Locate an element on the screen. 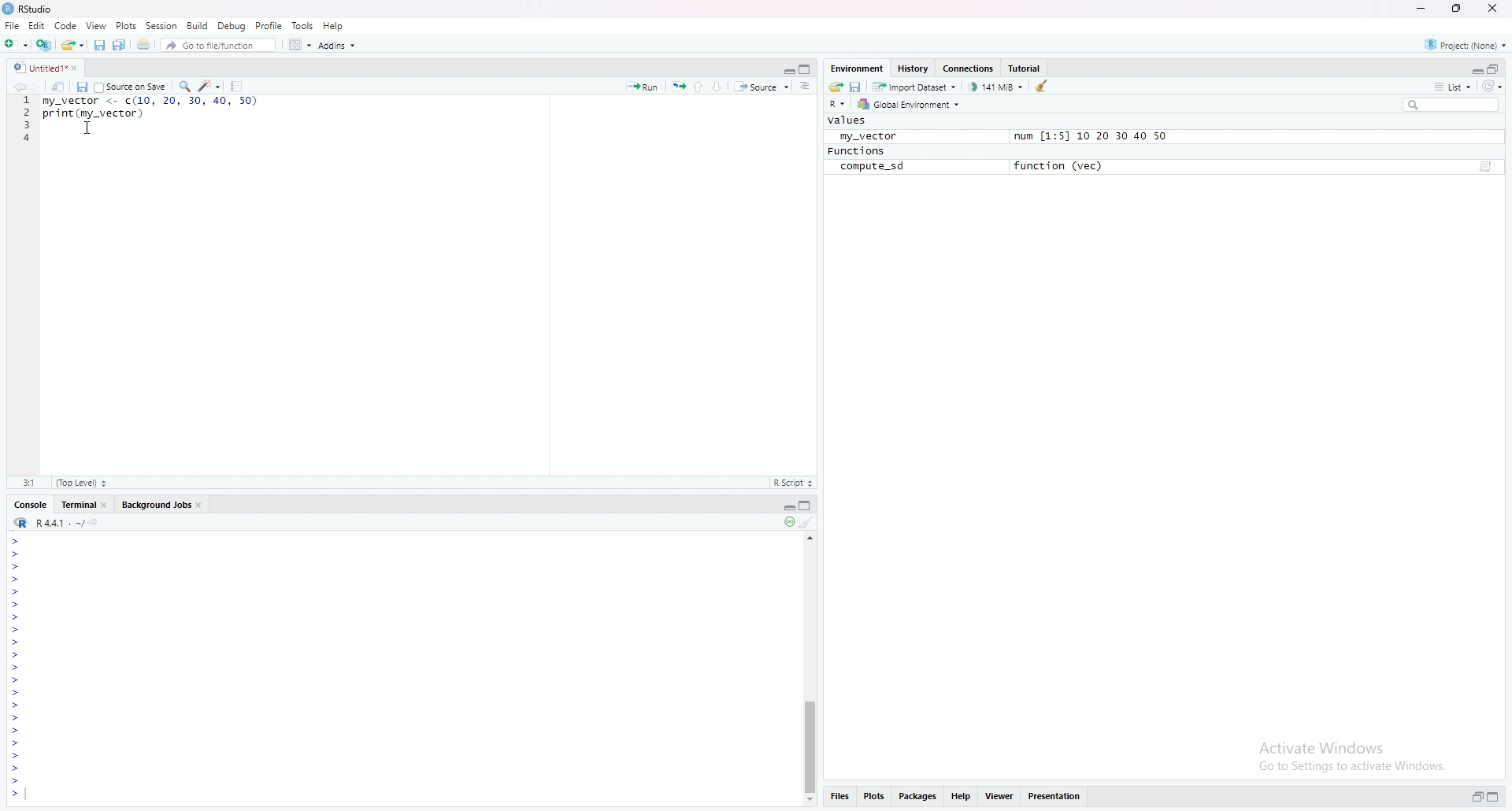  Prompt cursor is located at coordinates (17, 566).